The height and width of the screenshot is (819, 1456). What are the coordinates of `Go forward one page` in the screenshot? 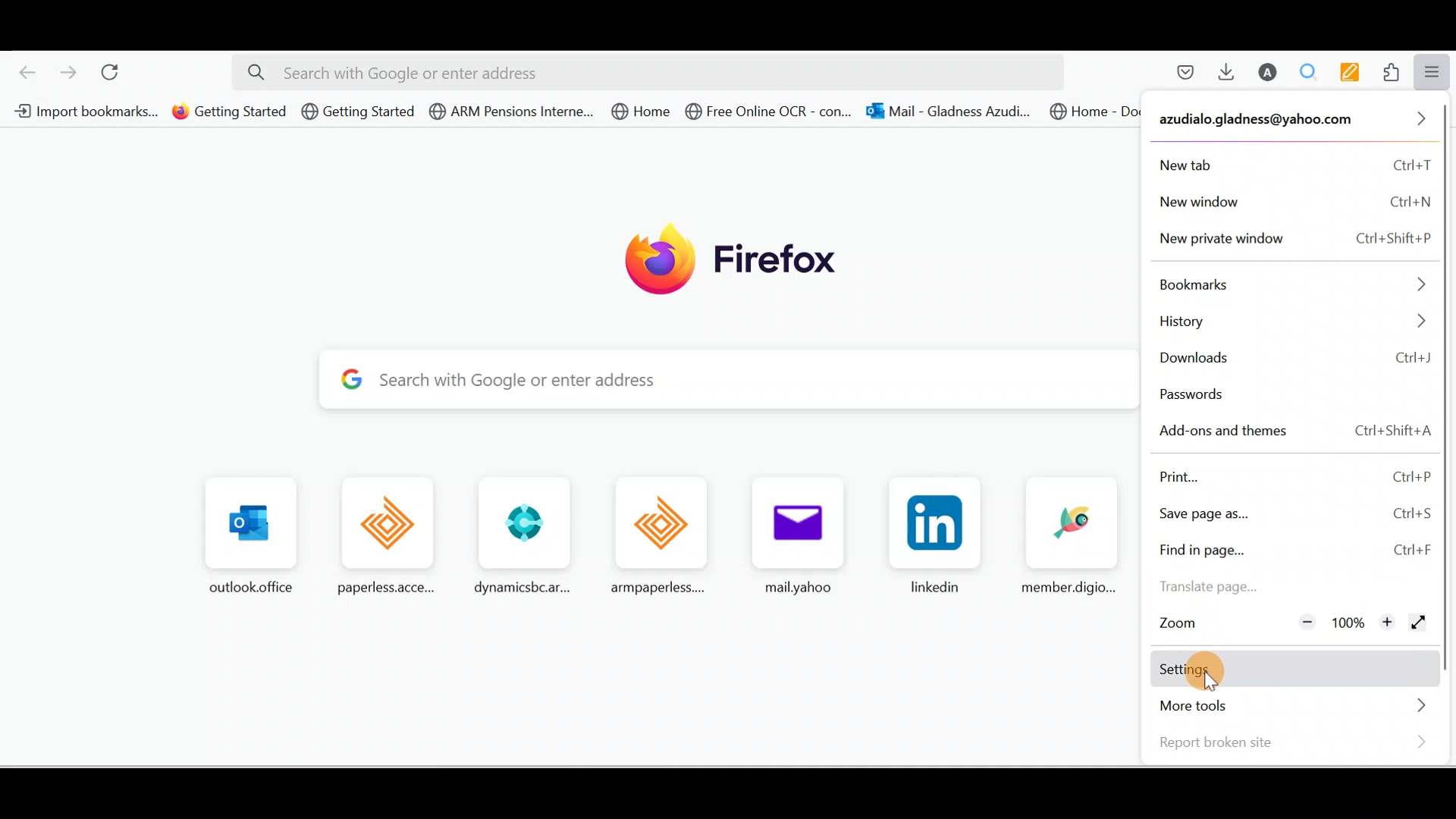 It's located at (71, 75).